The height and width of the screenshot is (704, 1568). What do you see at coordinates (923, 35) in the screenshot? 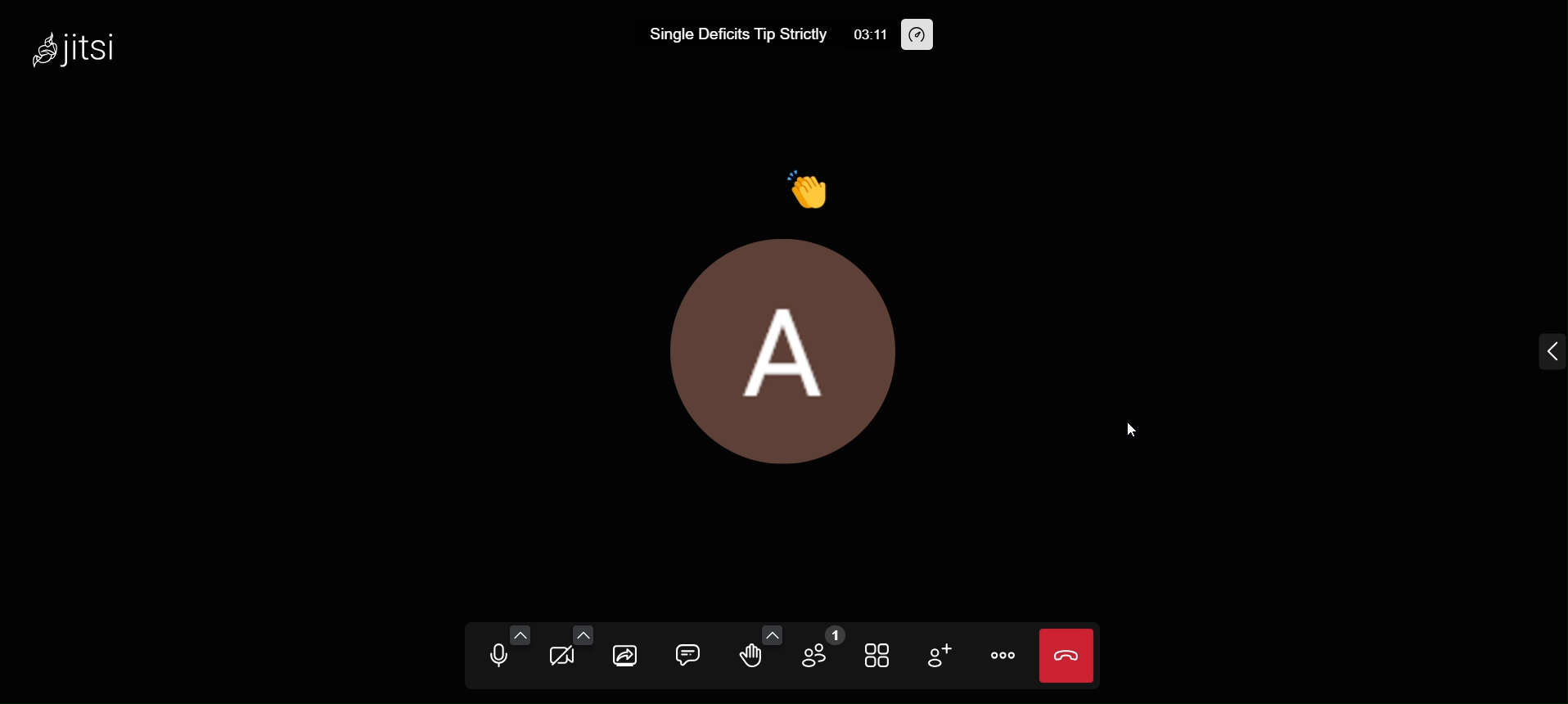
I see `performance setting` at bounding box center [923, 35].